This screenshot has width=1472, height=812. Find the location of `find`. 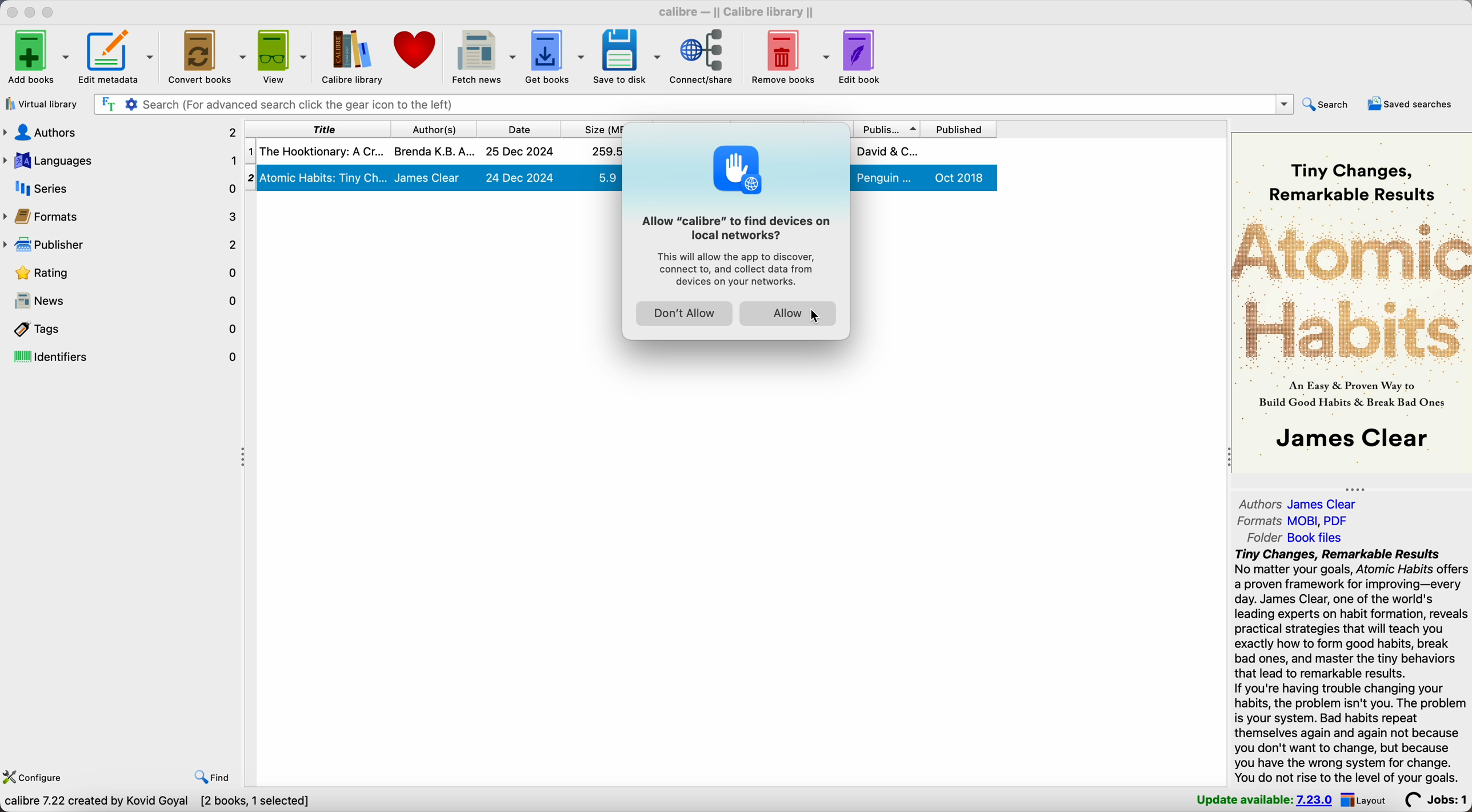

find is located at coordinates (211, 778).